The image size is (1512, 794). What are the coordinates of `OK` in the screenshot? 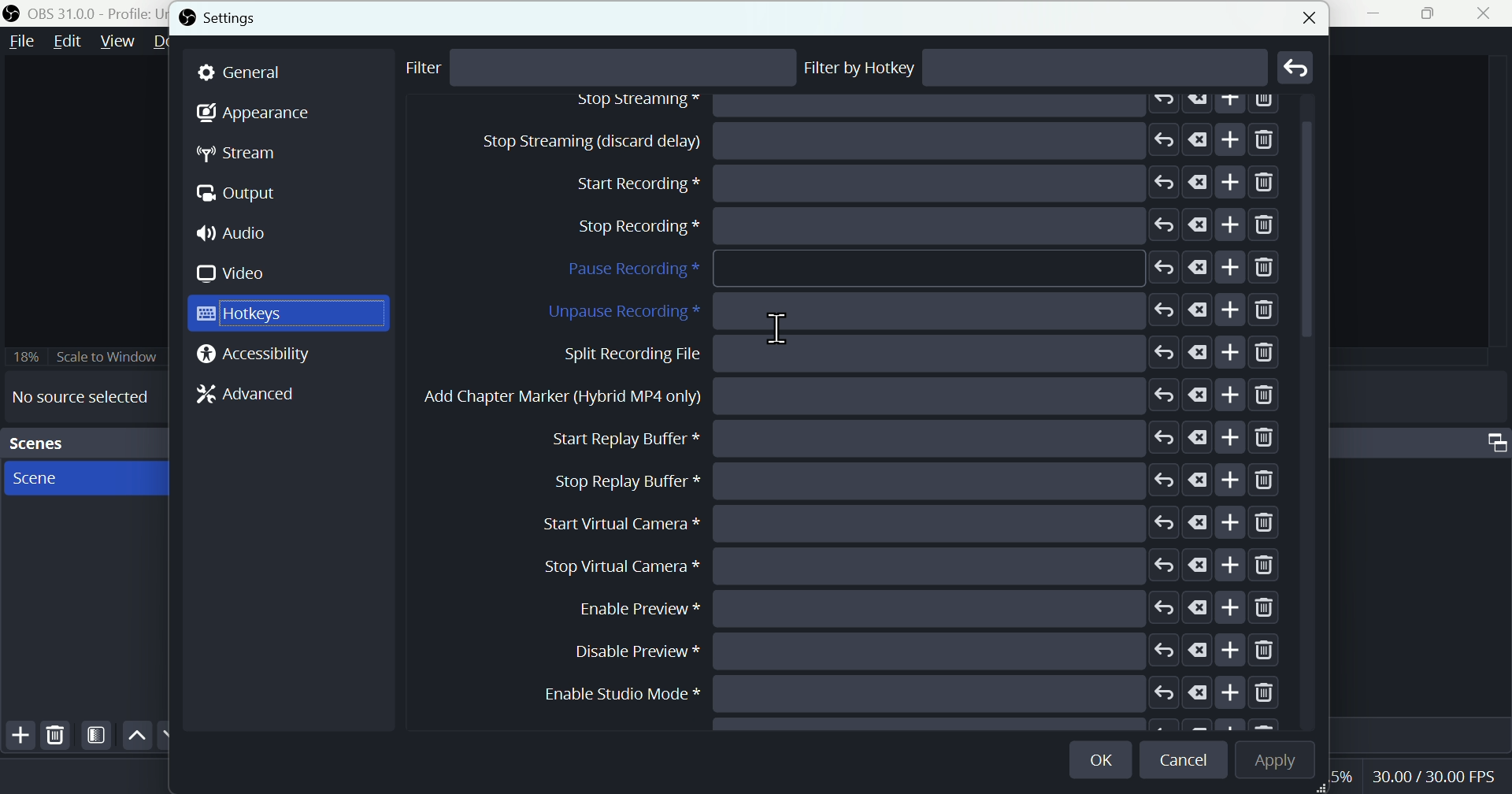 It's located at (1103, 757).